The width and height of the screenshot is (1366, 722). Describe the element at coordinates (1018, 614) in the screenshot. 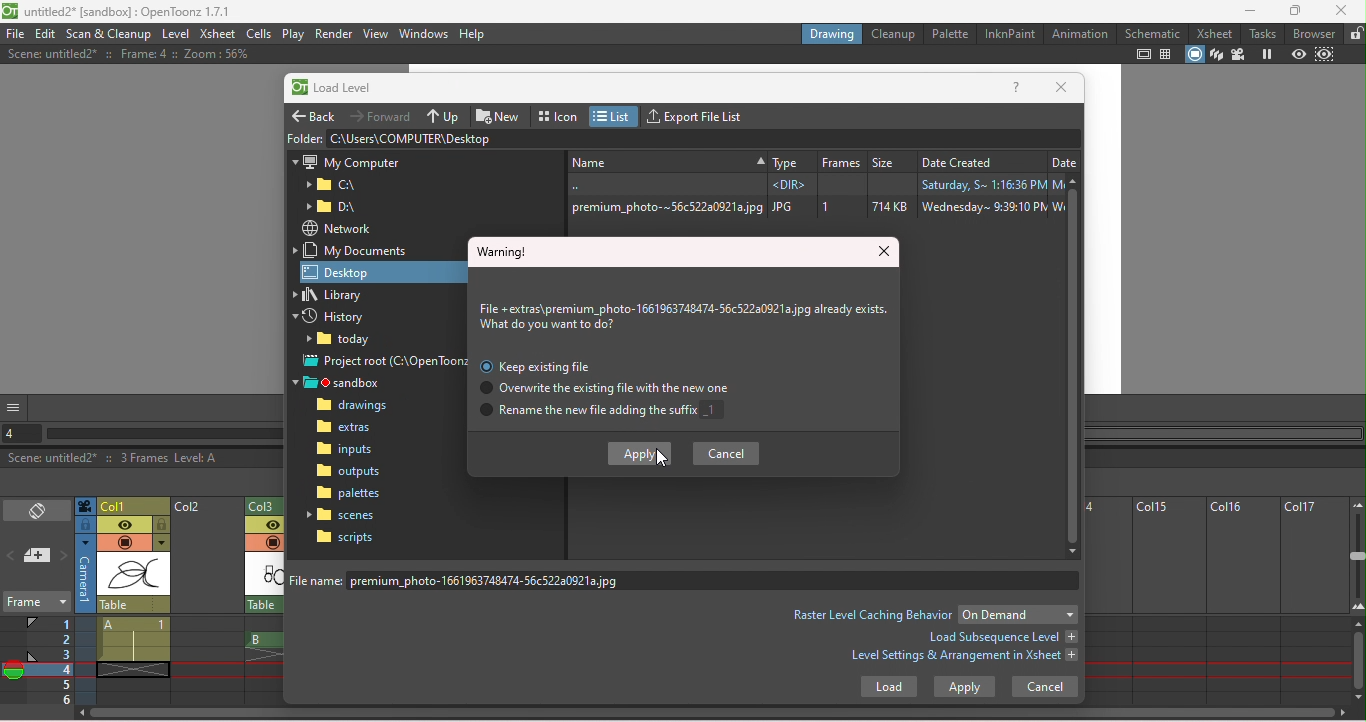

I see `Drop down menu` at that location.